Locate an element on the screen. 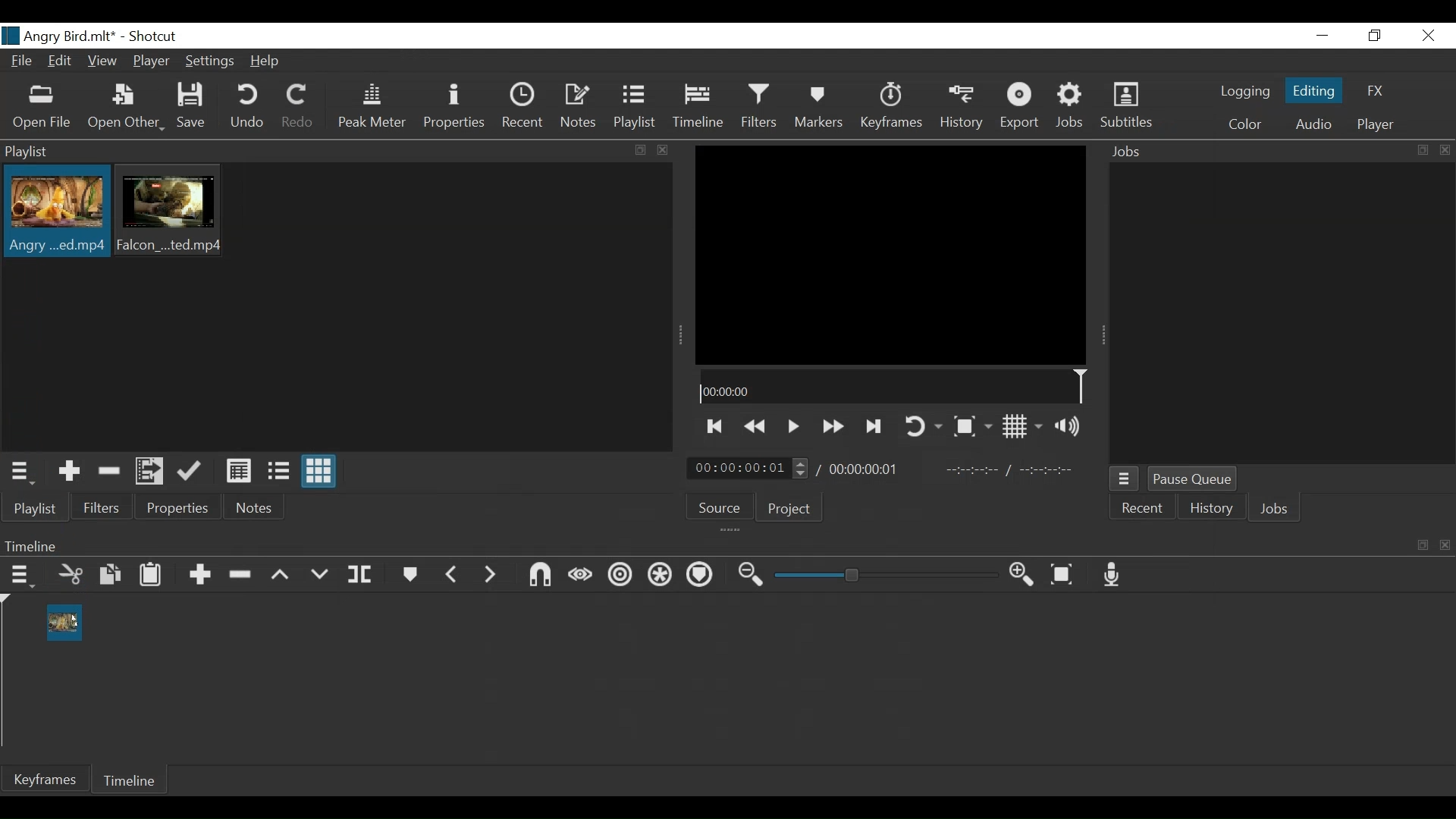  Timeline is located at coordinates (131, 783).